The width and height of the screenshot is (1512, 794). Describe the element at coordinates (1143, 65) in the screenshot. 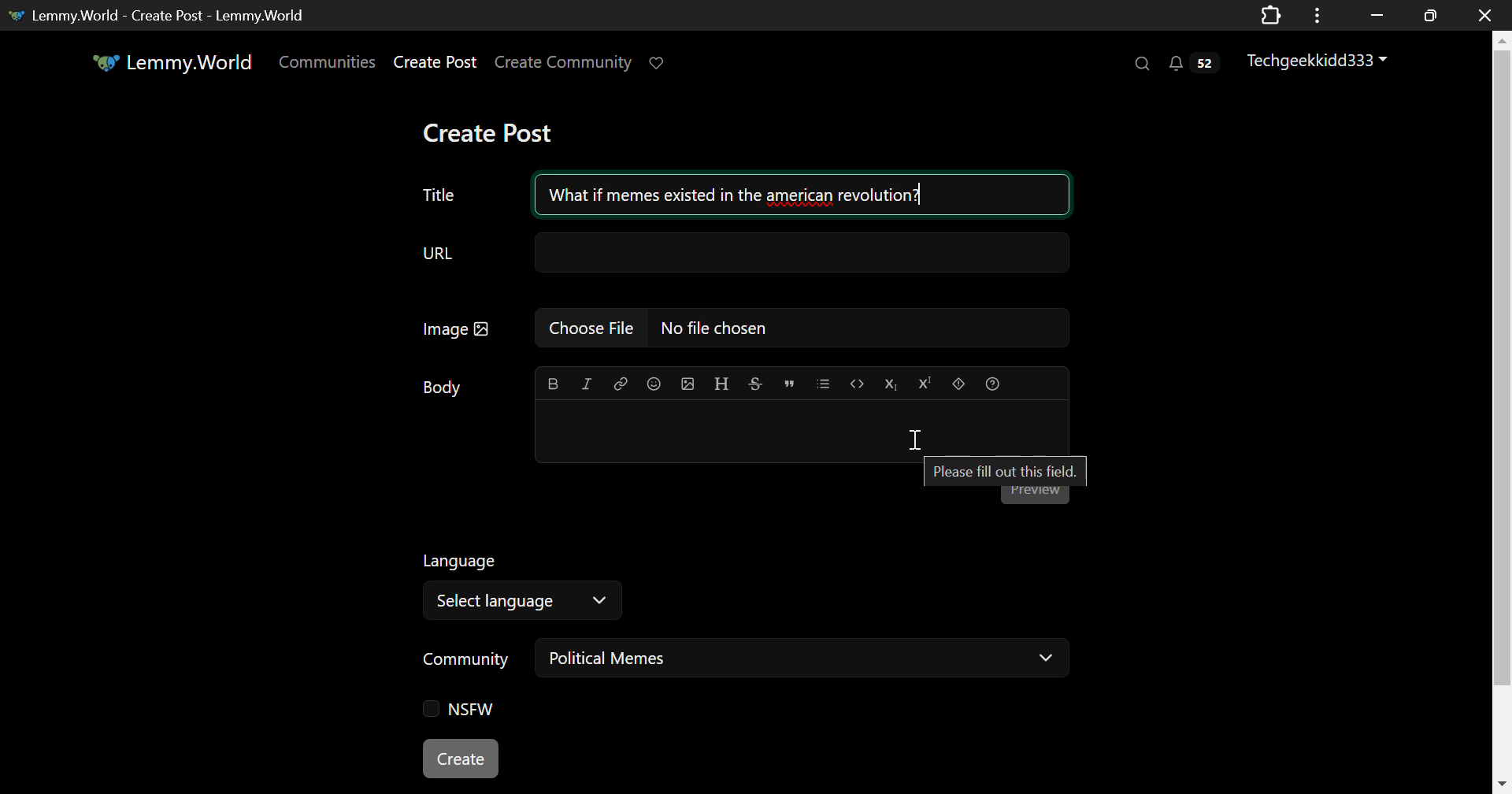

I see `Search` at that location.